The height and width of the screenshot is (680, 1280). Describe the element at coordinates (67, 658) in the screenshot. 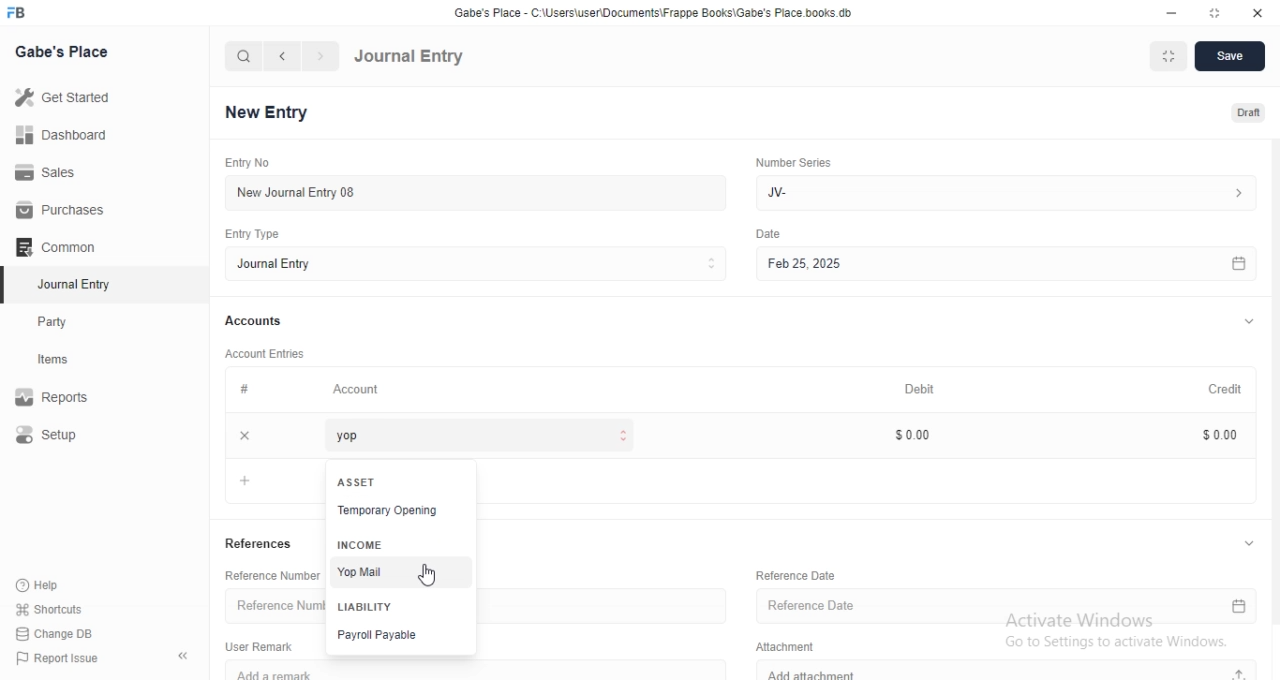

I see `Report Issue` at that location.